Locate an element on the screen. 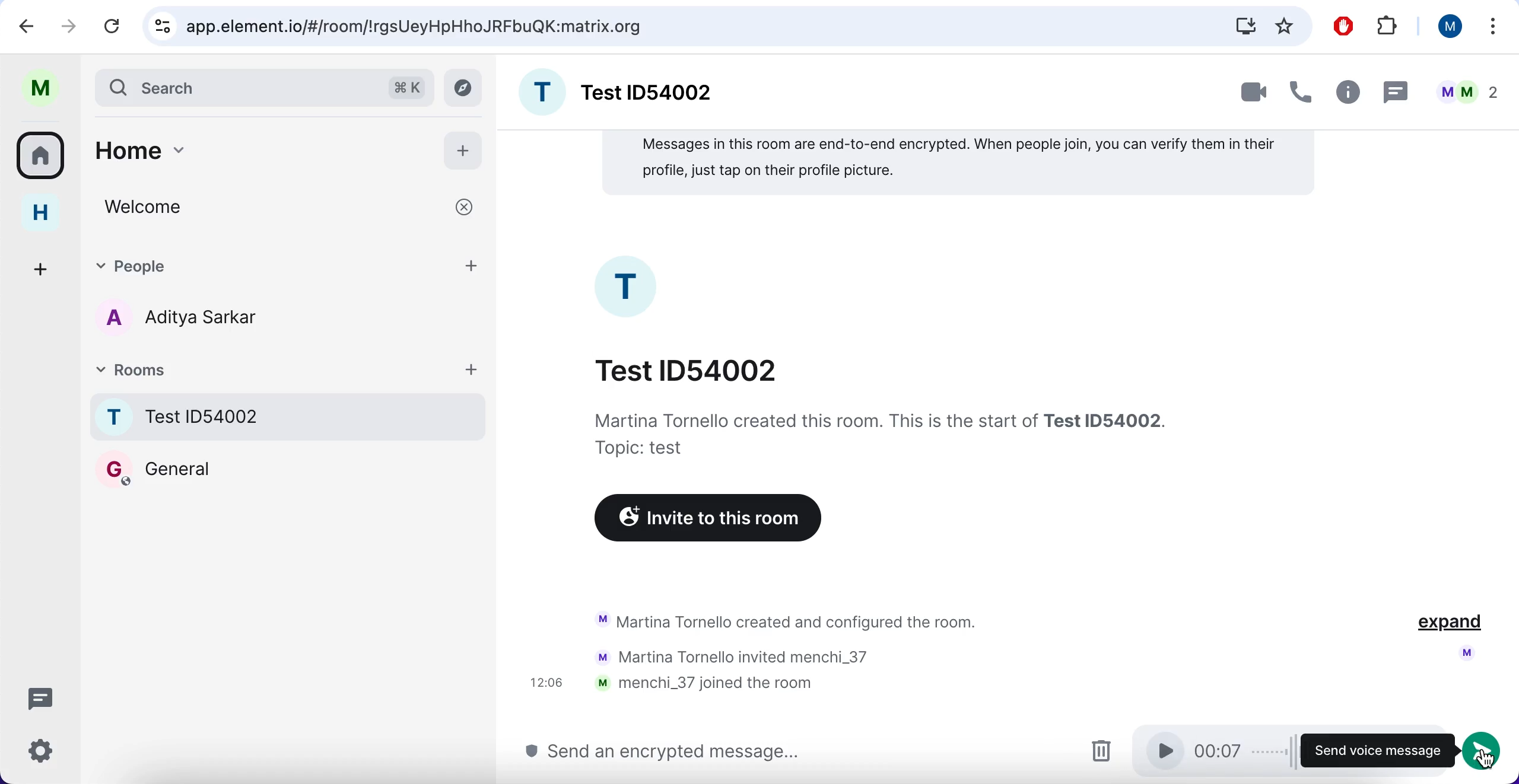 This screenshot has width=1519, height=784. contacts is located at coordinates (172, 320).